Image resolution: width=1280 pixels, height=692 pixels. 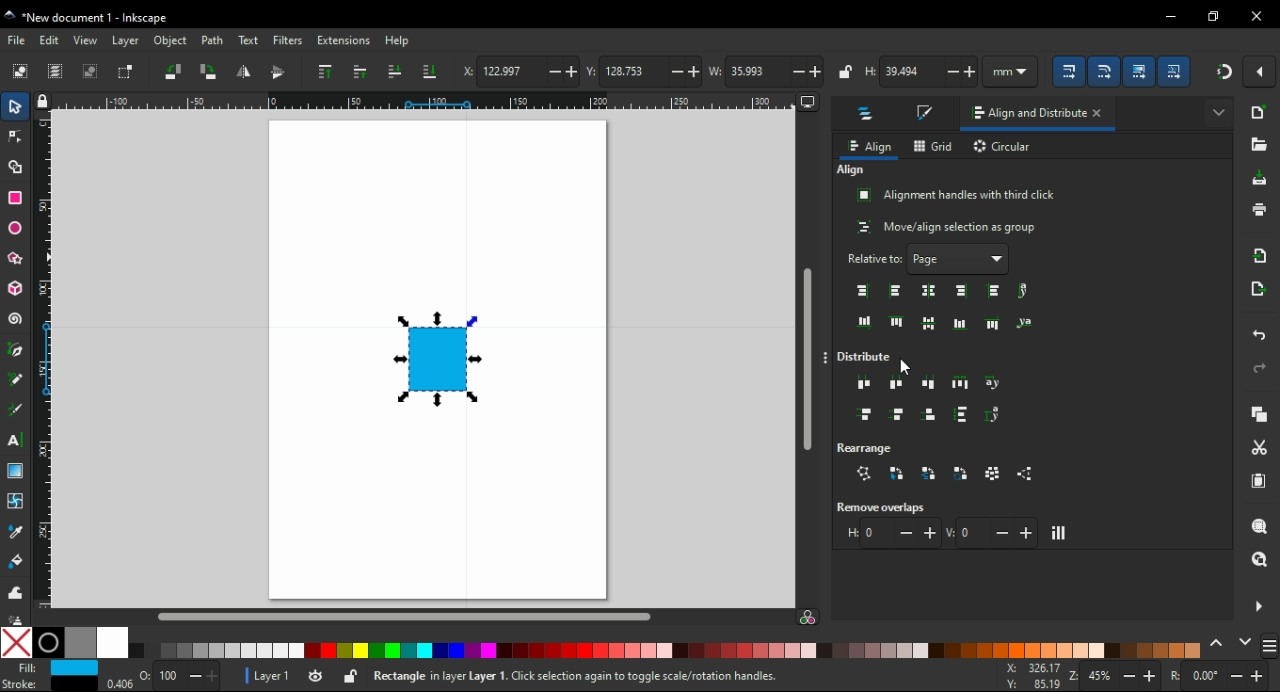 I want to click on align to top edges, so click(x=897, y=321).